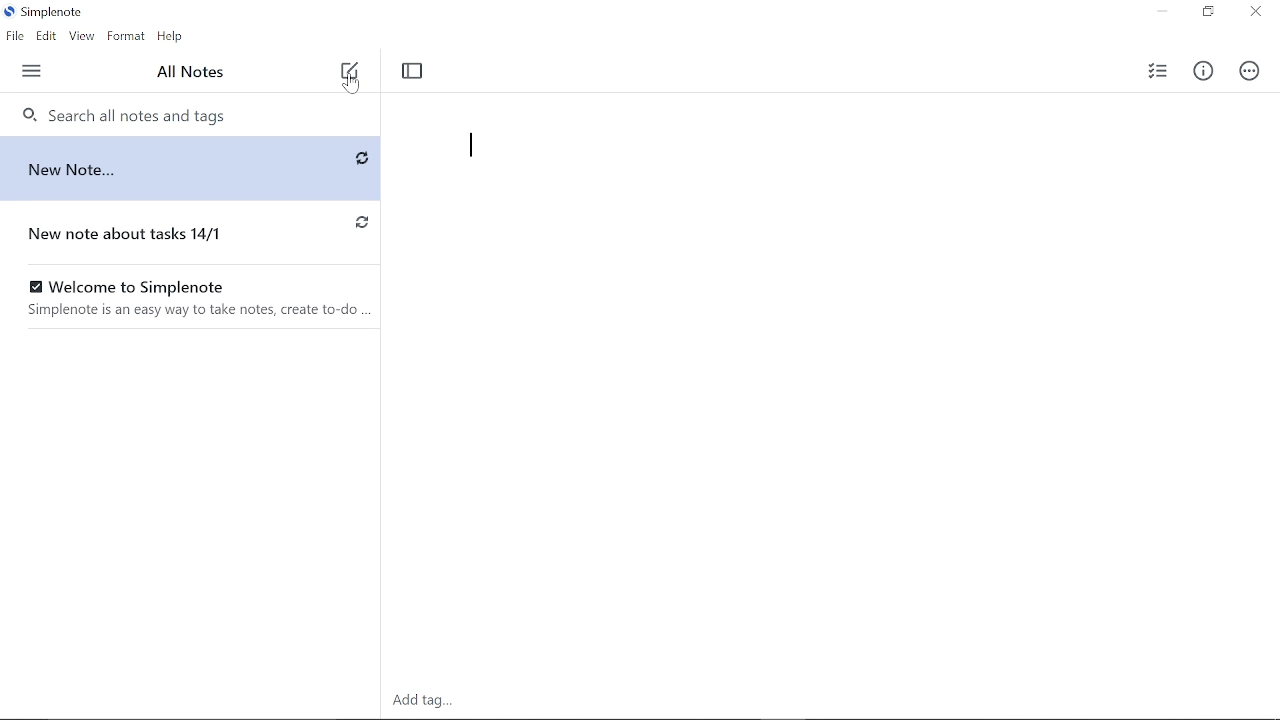  I want to click on View, so click(82, 37).